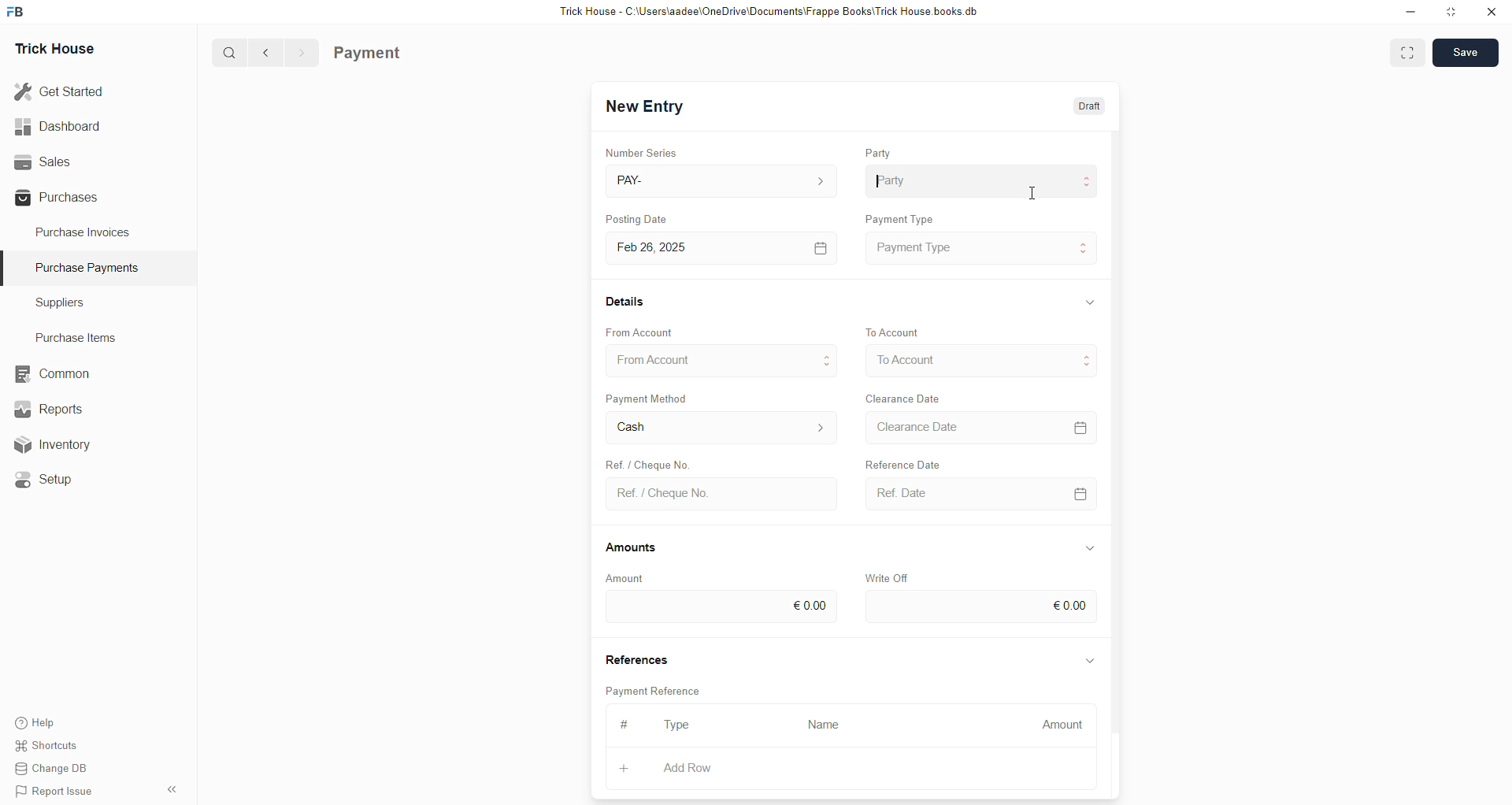 The image size is (1512, 805). Describe the element at coordinates (57, 46) in the screenshot. I see `Trick House` at that location.